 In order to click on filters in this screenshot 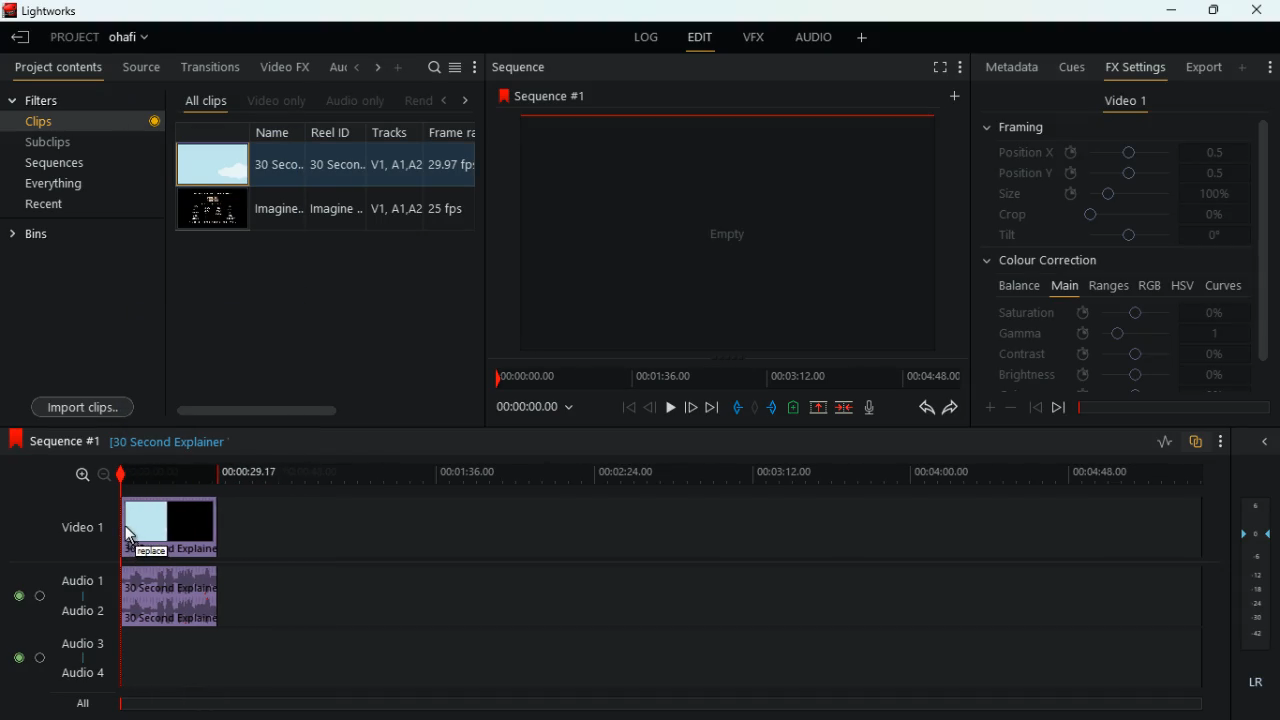, I will do `click(42, 100)`.